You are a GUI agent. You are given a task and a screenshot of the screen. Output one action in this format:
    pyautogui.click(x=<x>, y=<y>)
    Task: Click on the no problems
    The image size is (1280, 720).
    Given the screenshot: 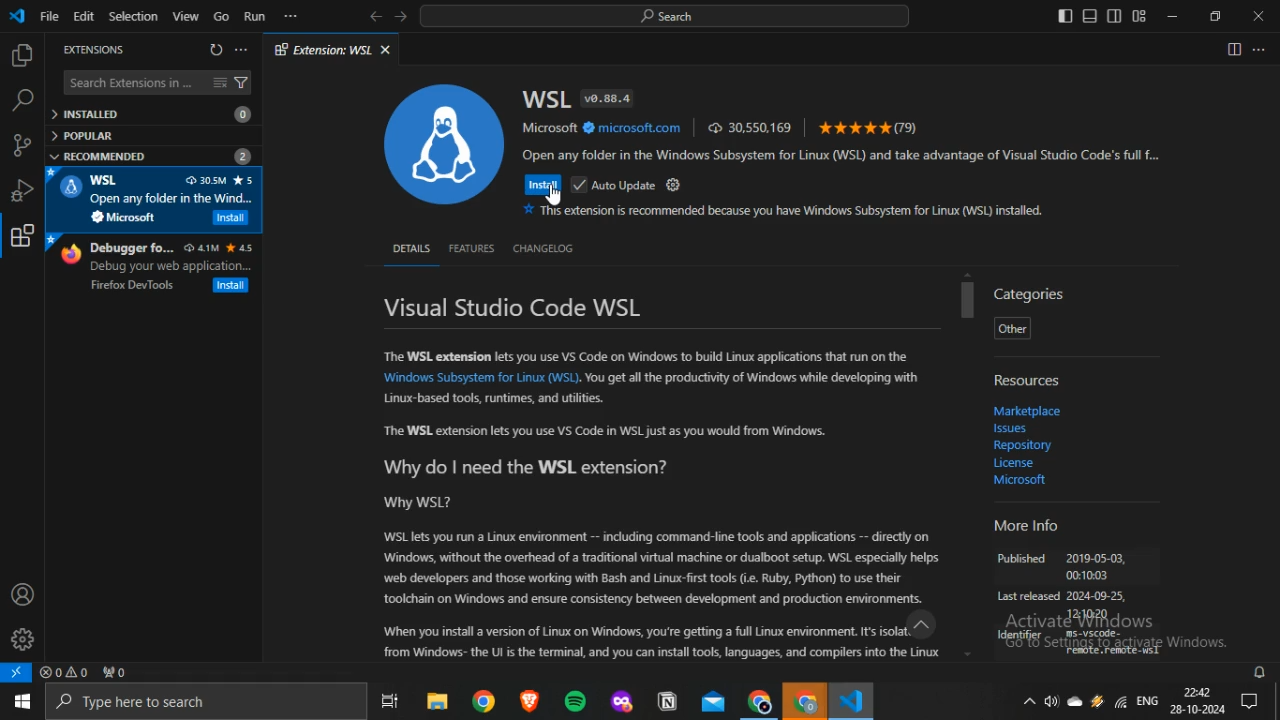 What is the action you would take?
    pyautogui.click(x=64, y=672)
    